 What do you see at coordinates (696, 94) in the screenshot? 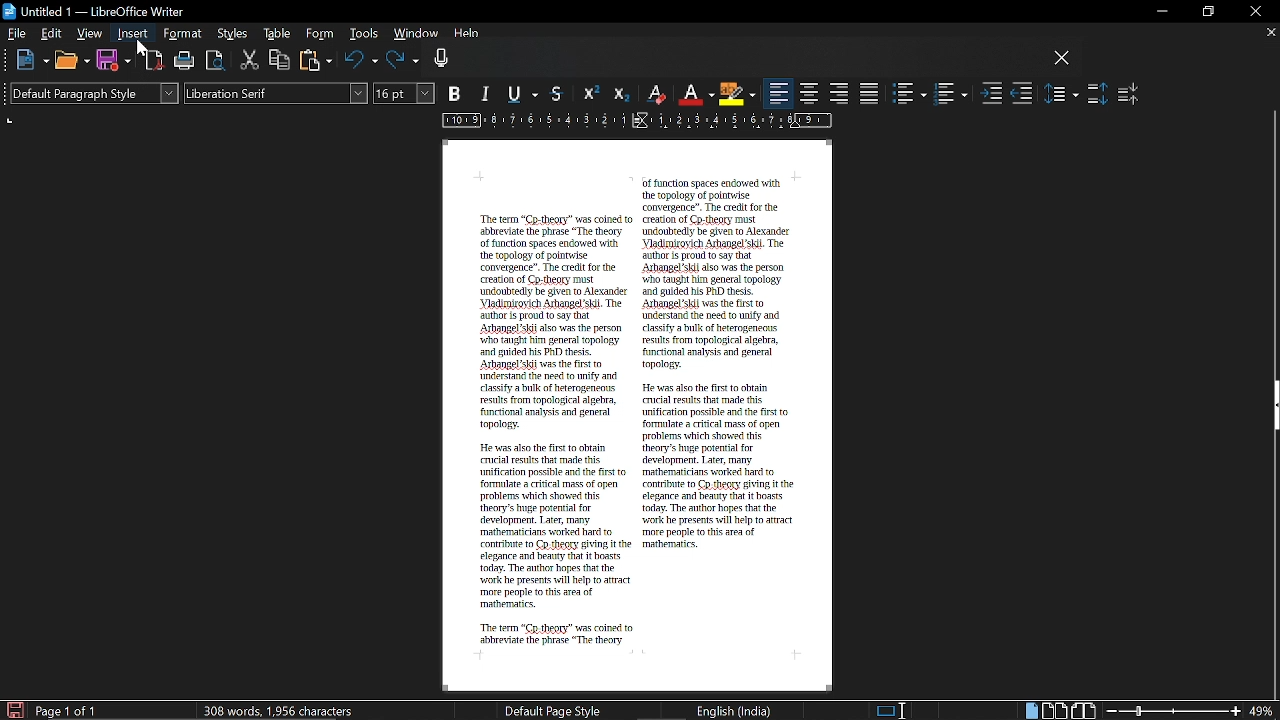
I see `Underline` at bounding box center [696, 94].